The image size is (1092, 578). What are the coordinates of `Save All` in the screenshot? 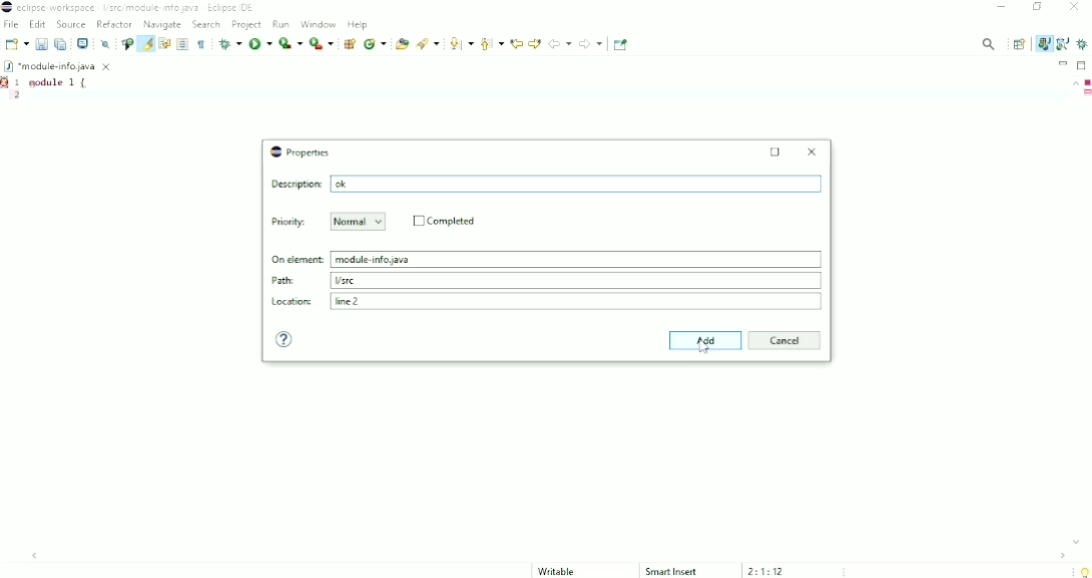 It's located at (61, 44).